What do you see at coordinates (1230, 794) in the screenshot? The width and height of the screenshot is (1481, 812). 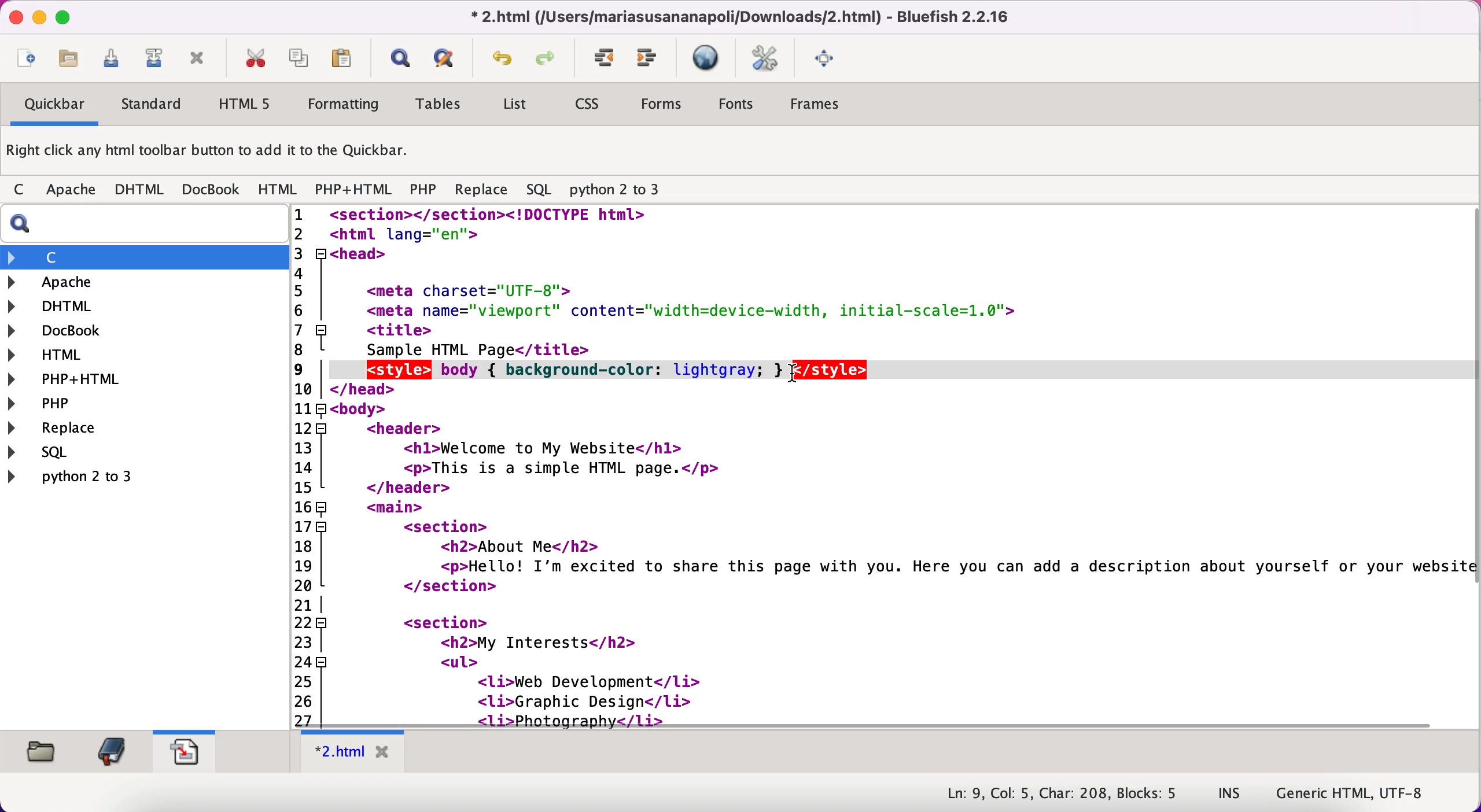 I see `ins` at bounding box center [1230, 794].